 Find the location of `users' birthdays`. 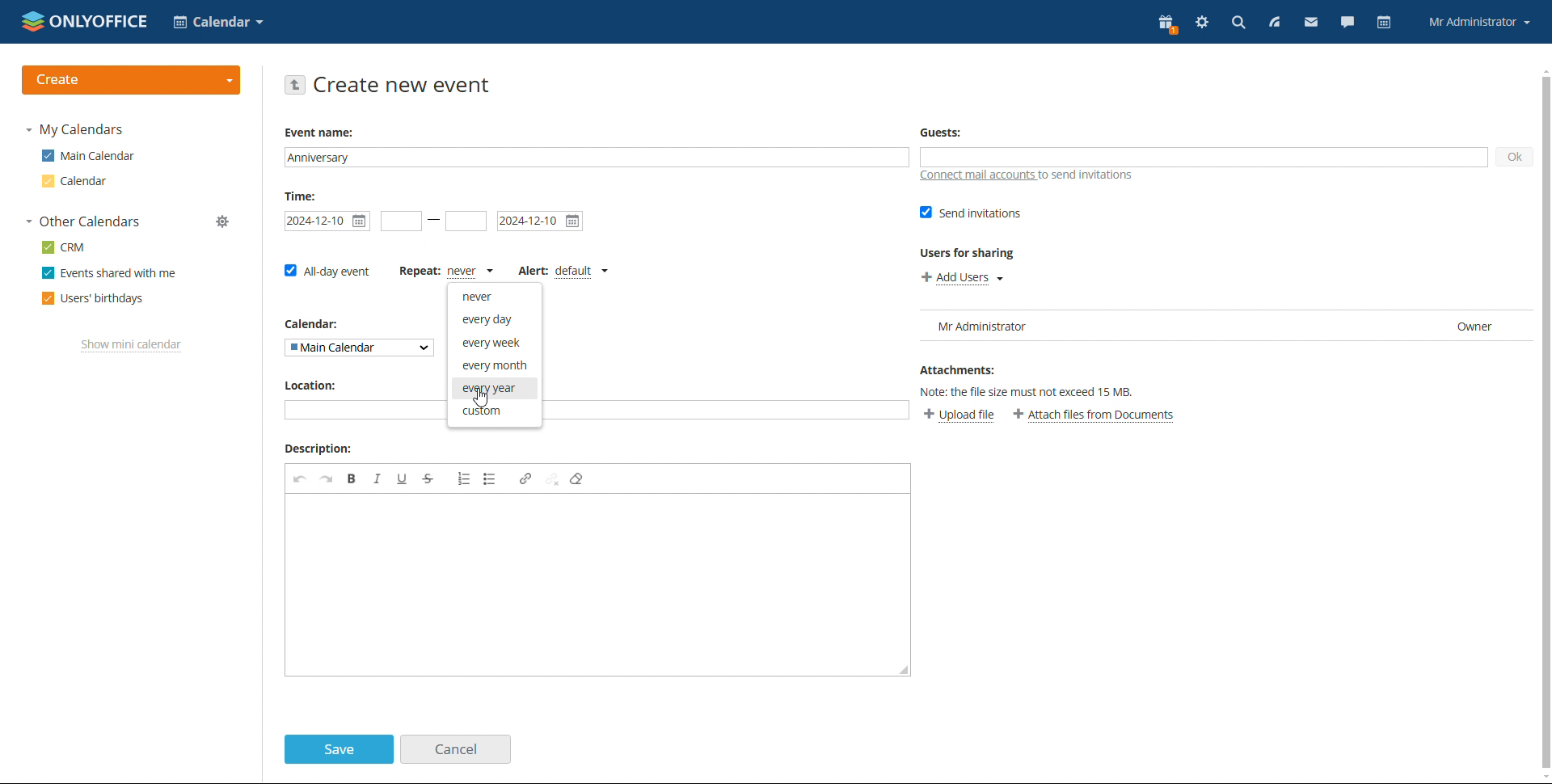

users' birthdays is located at coordinates (93, 298).